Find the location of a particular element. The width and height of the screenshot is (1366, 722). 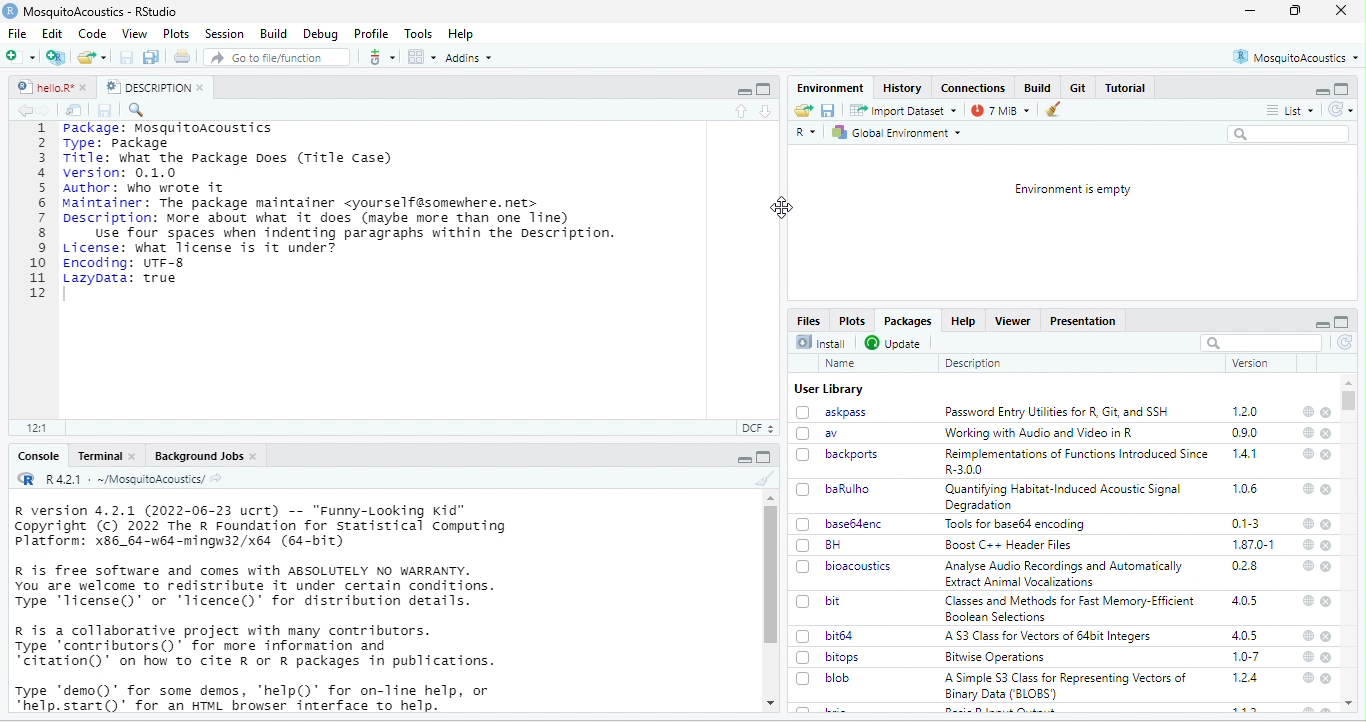

Install is located at coordinates (821, 342).